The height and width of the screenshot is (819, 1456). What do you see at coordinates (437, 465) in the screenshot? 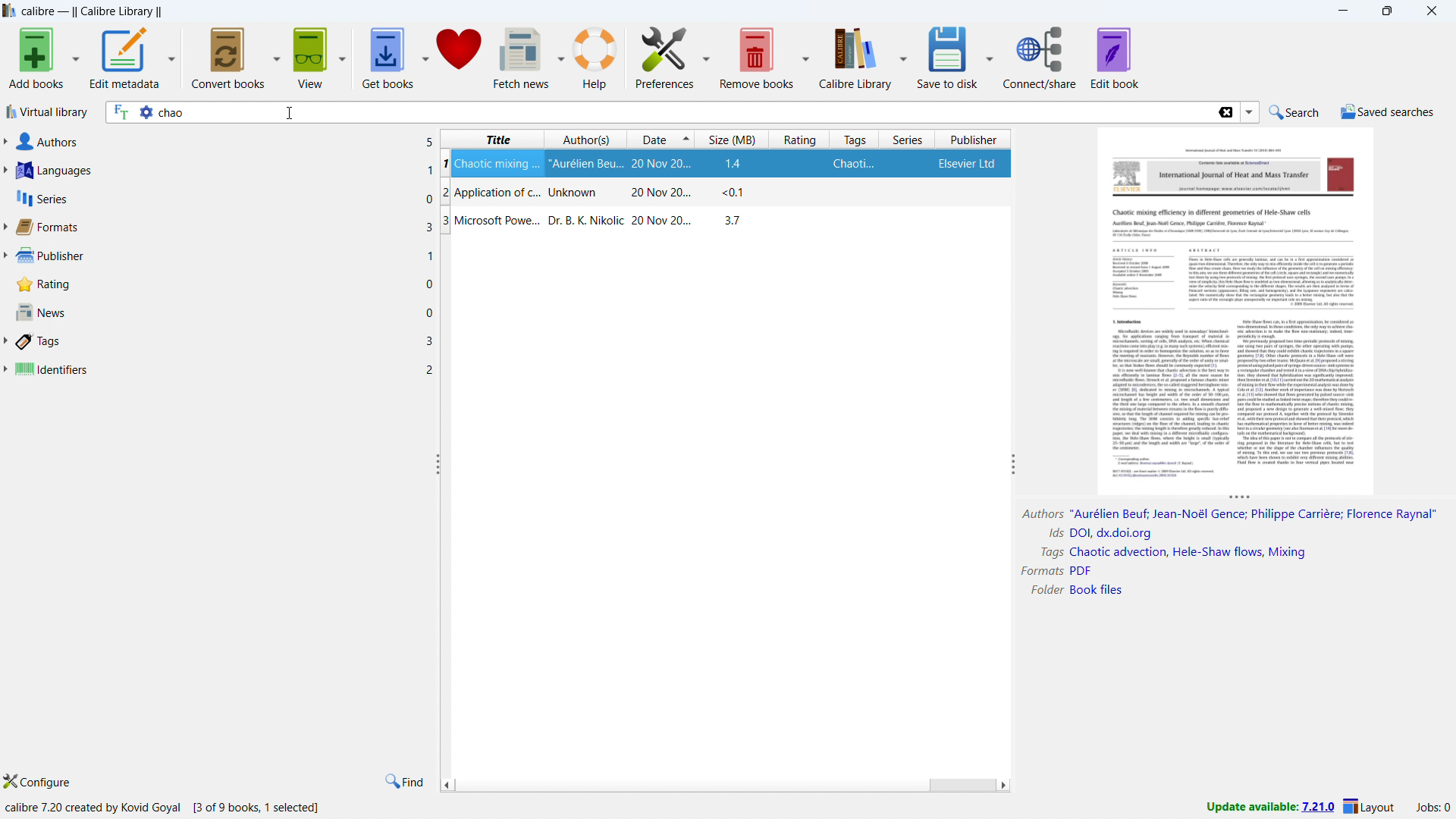
I see `resize` at bounding box center [437, 465].